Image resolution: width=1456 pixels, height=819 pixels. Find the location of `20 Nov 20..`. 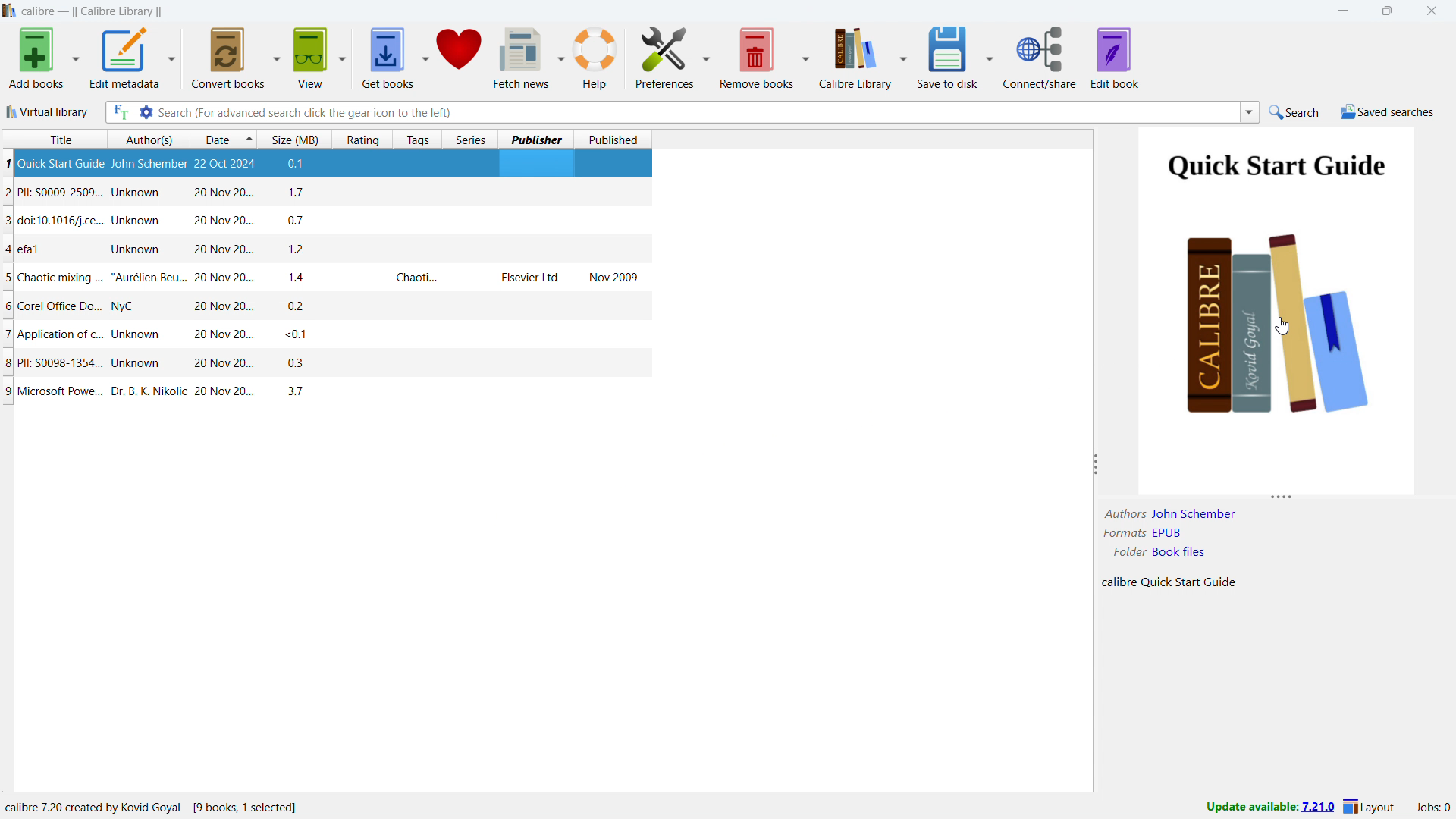

20 Nov 20.. is located at coordinates (218, 250).